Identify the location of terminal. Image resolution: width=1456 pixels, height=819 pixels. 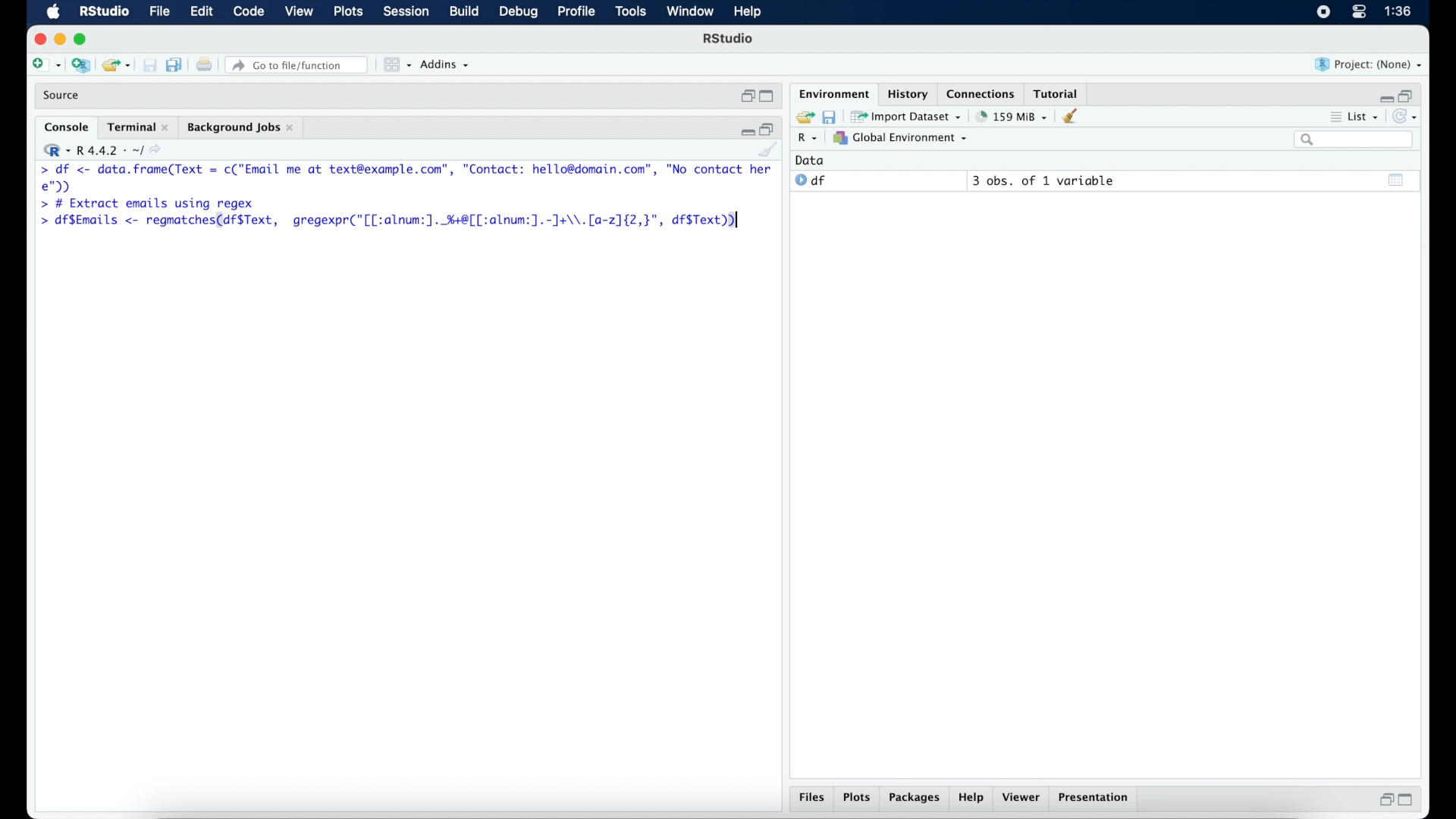
(137, 127).